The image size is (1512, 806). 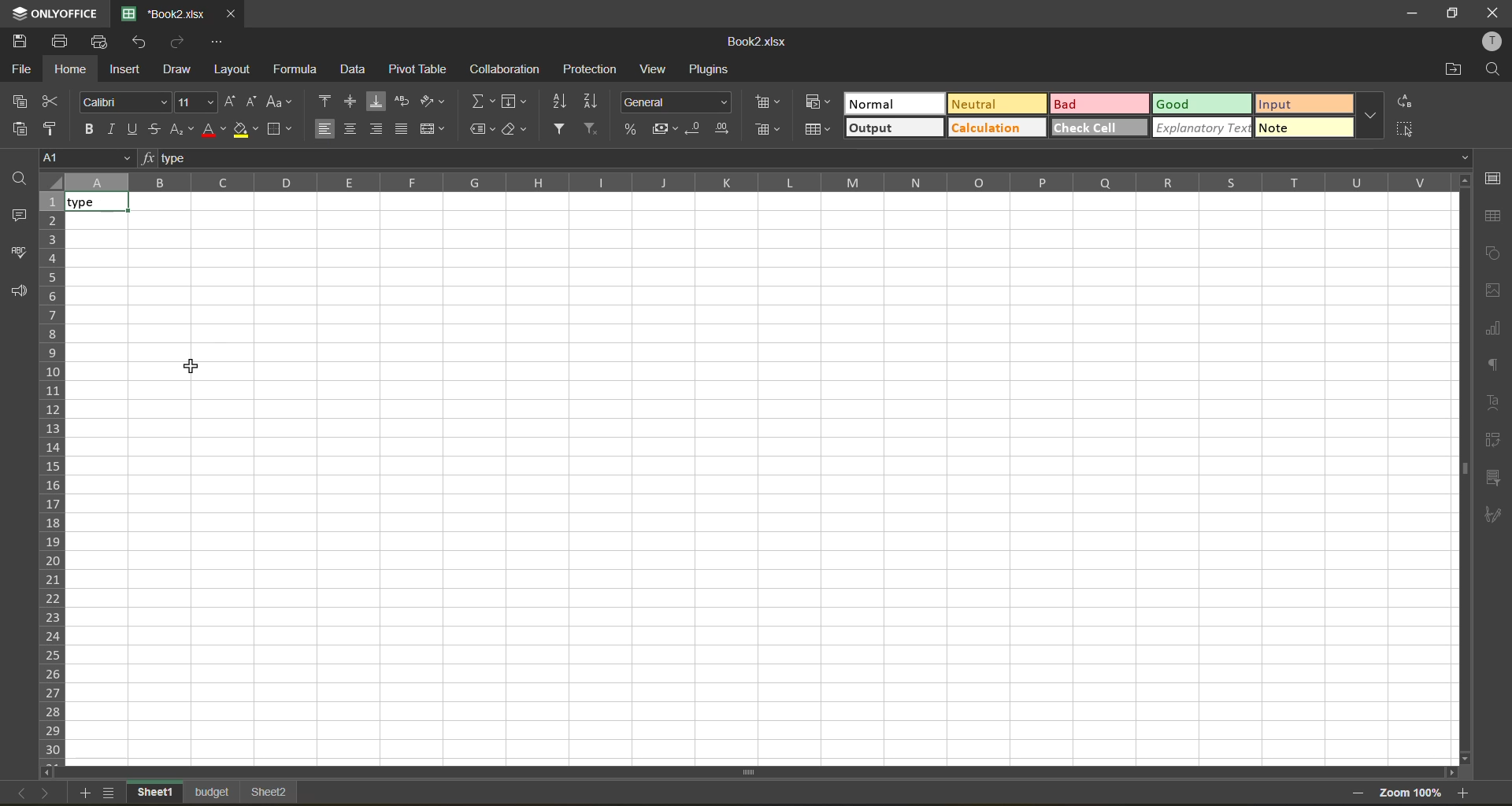 I want to click on profile, so click(x=1489, y=40).